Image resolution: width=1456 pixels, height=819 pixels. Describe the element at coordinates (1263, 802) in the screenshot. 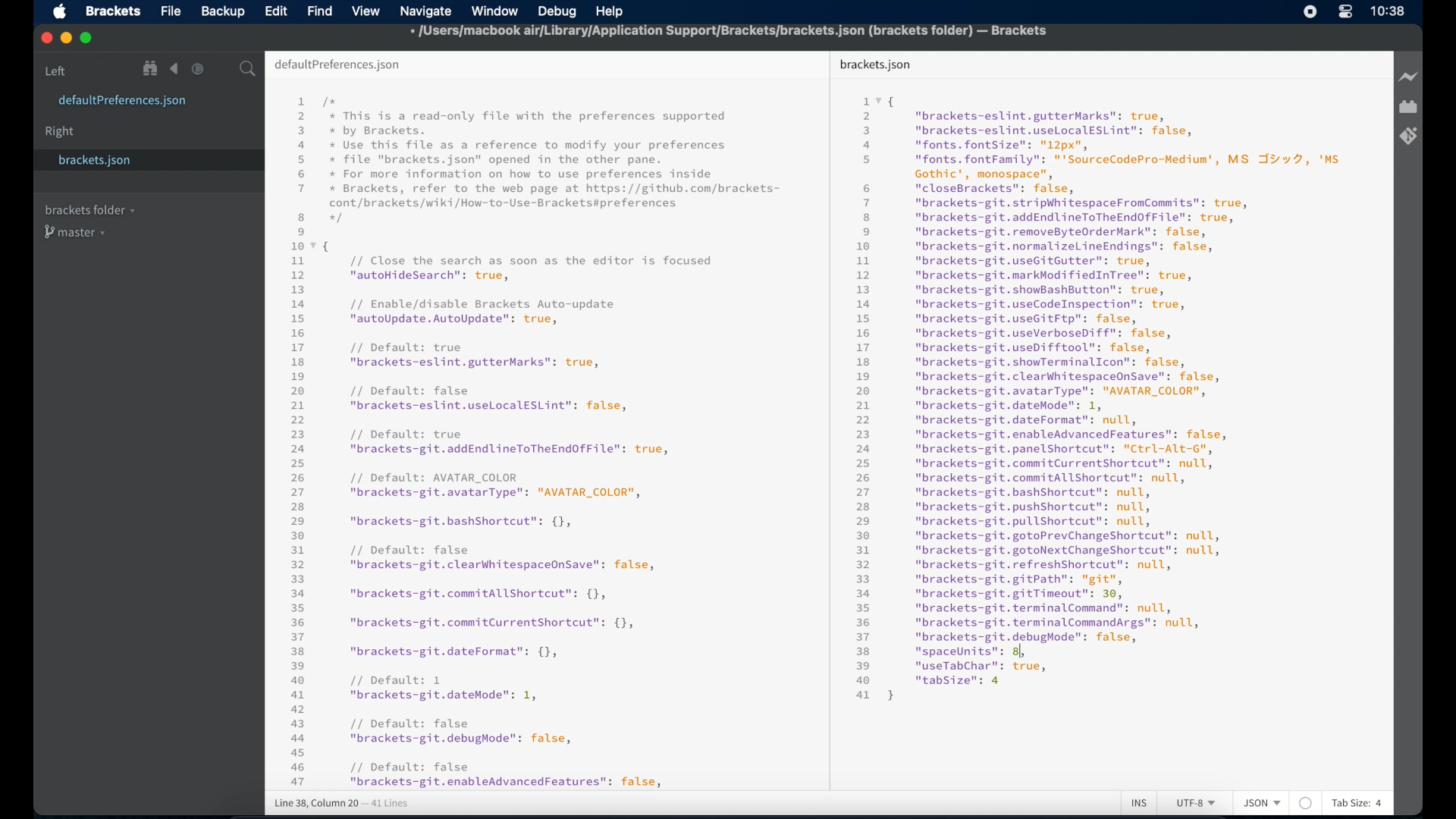

I see `json` at that location.